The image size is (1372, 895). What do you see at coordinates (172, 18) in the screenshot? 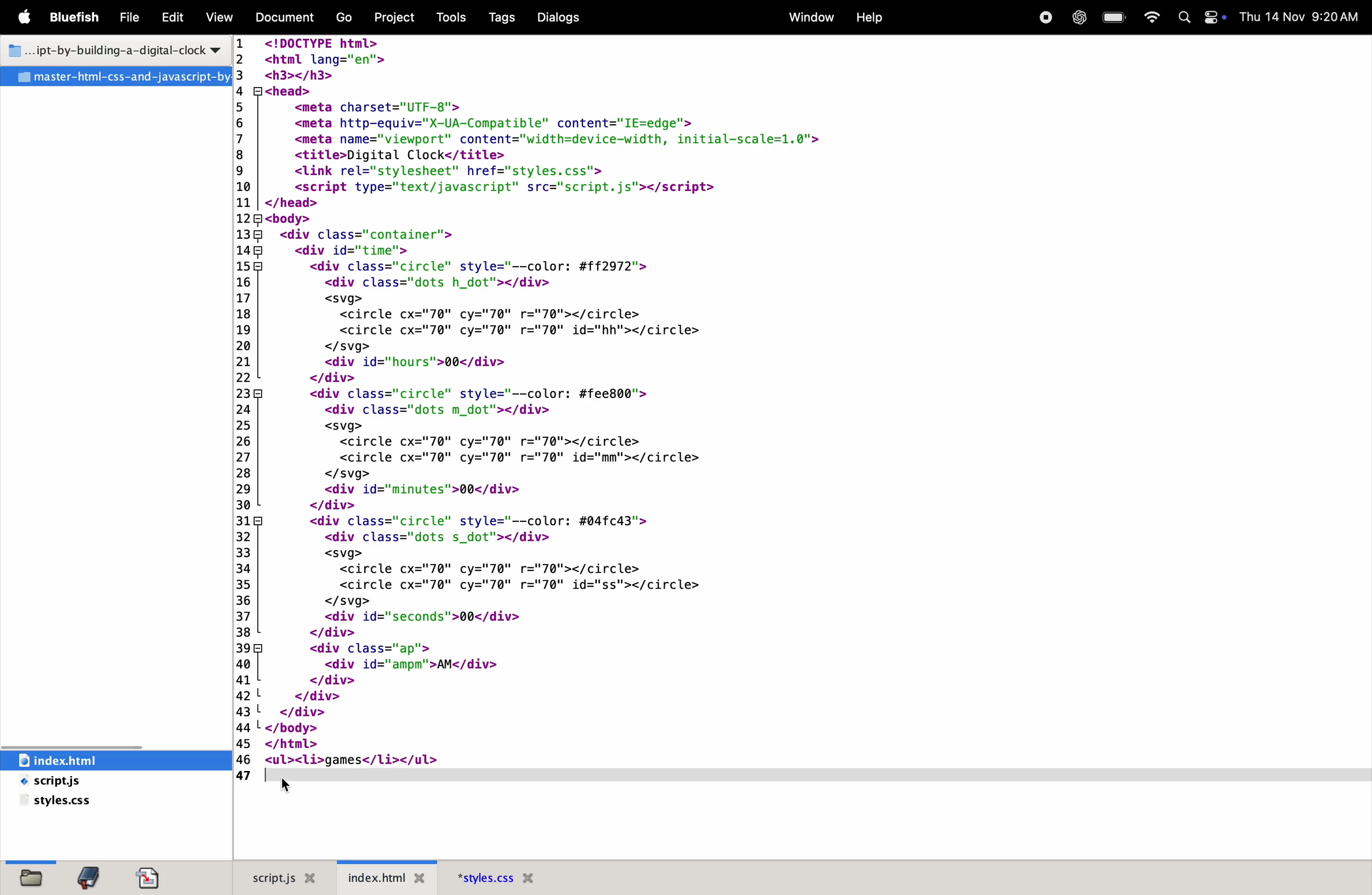
I see `Edit` at bounding box center [172, 18].